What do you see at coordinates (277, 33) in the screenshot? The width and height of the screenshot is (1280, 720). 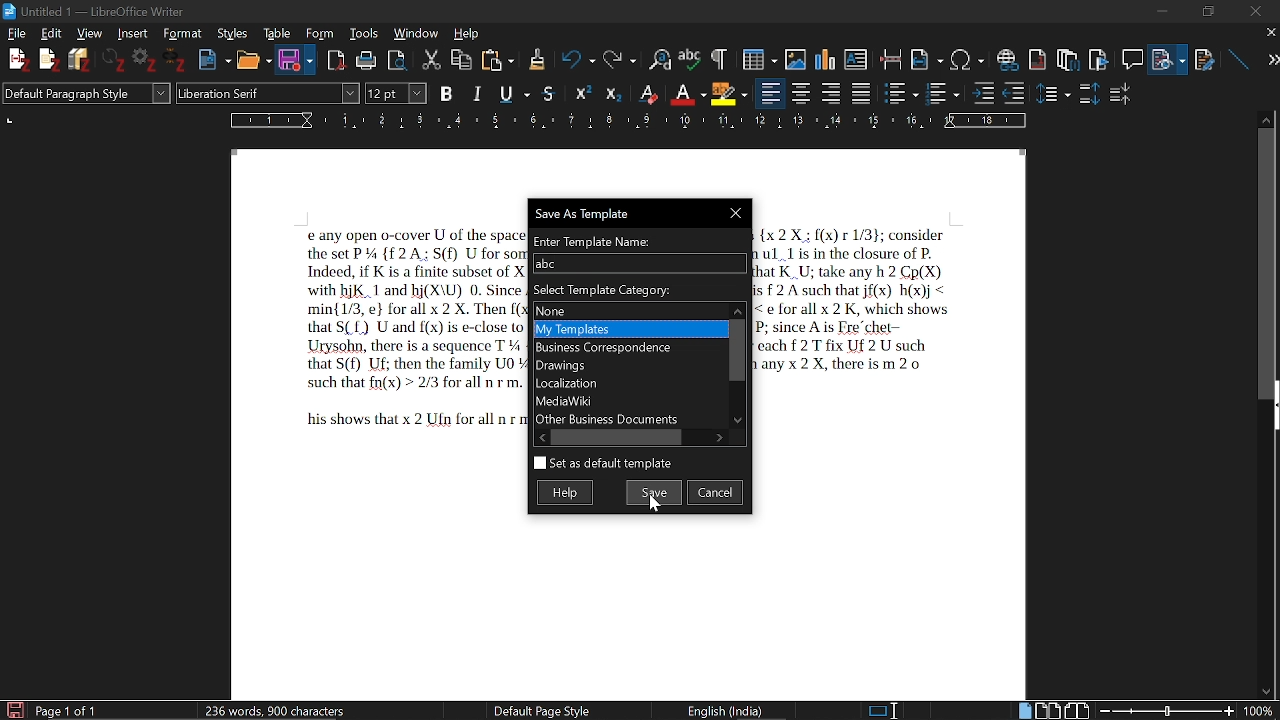 I see `Table` at bounding box center [277, 33].